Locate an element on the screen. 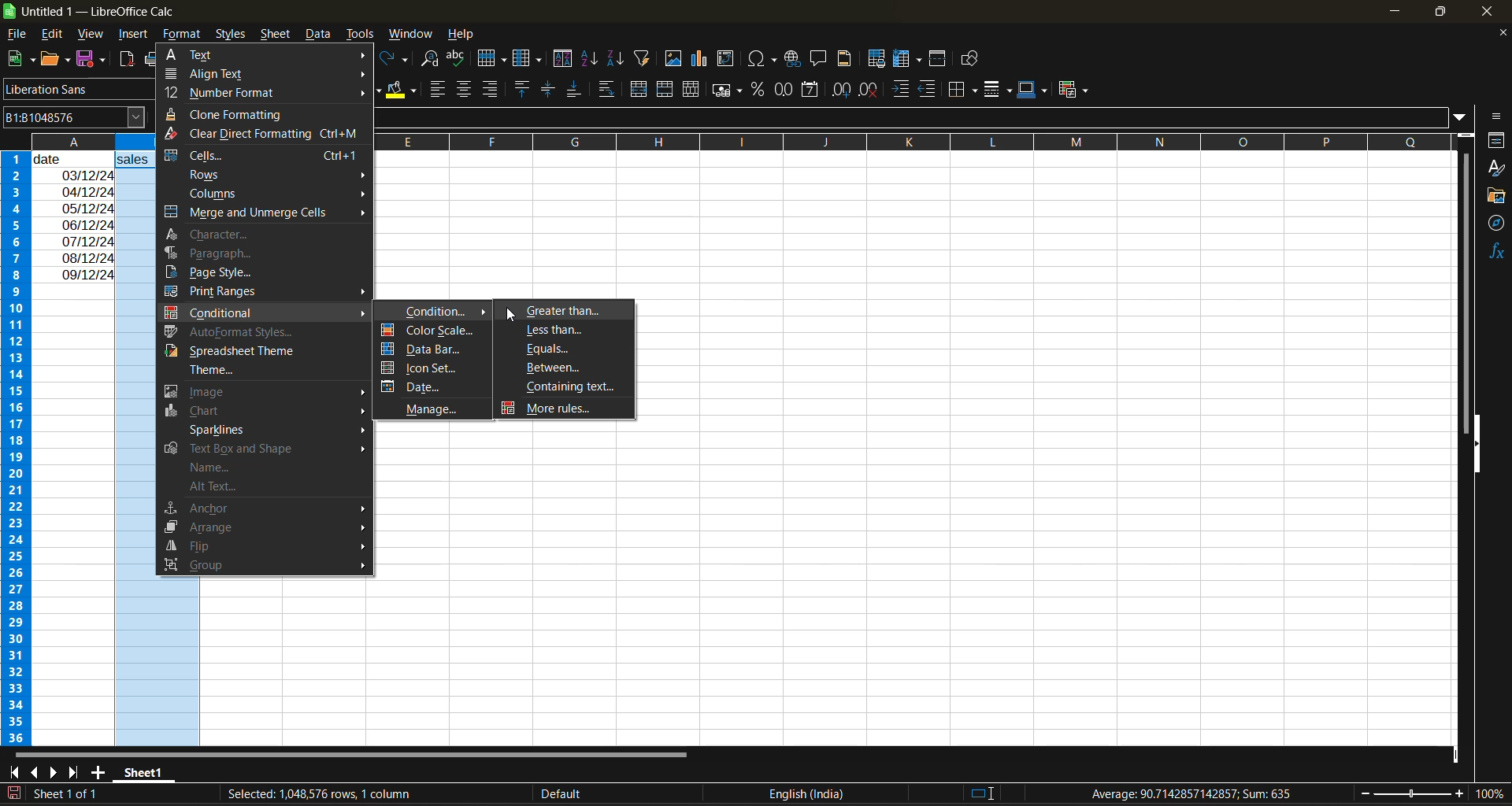 The width and height of the screenshot is (1512, 806). format as percent is located at coordinates (759, 90).